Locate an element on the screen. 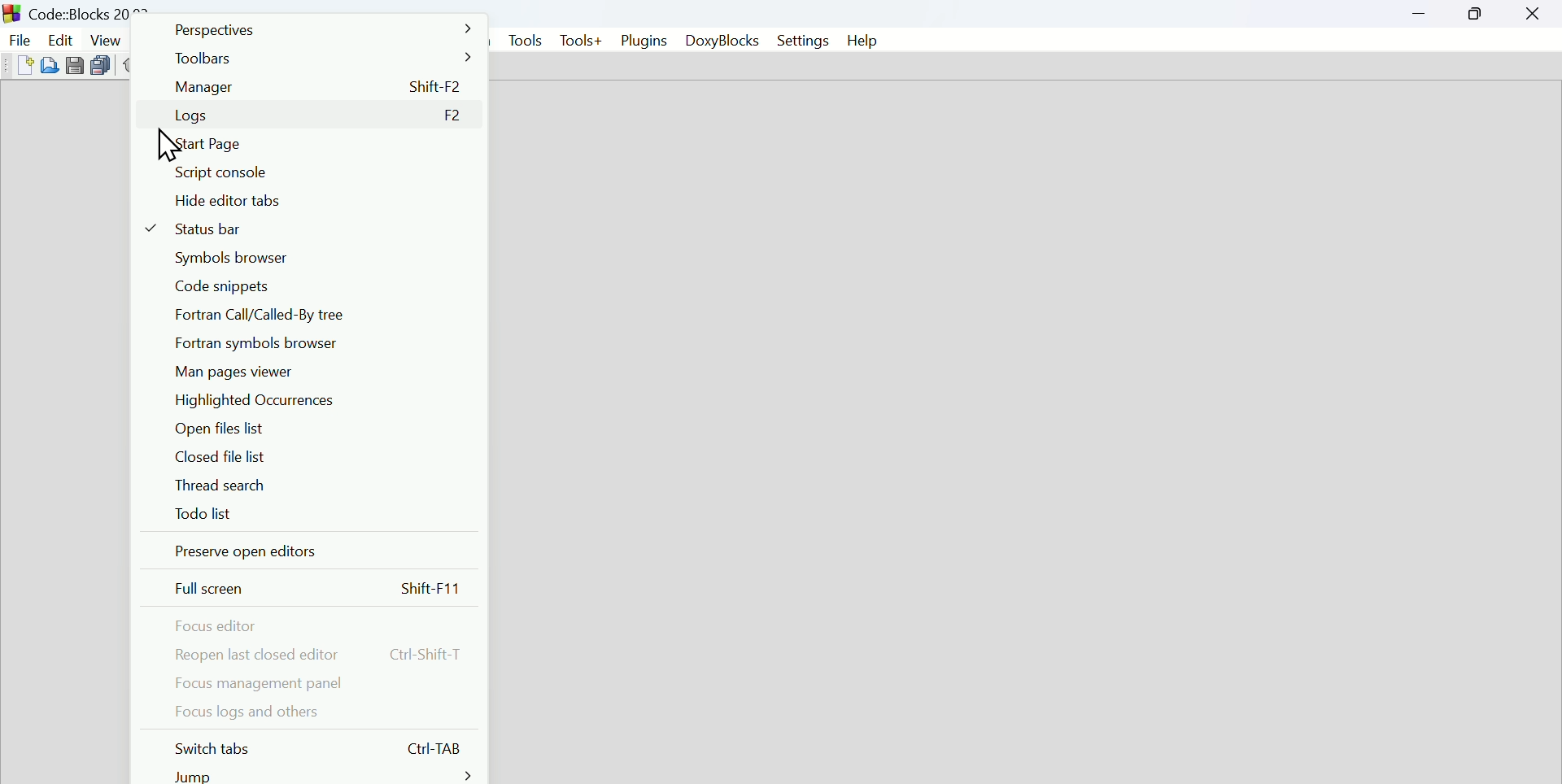   is located at coordinates (325, 747).